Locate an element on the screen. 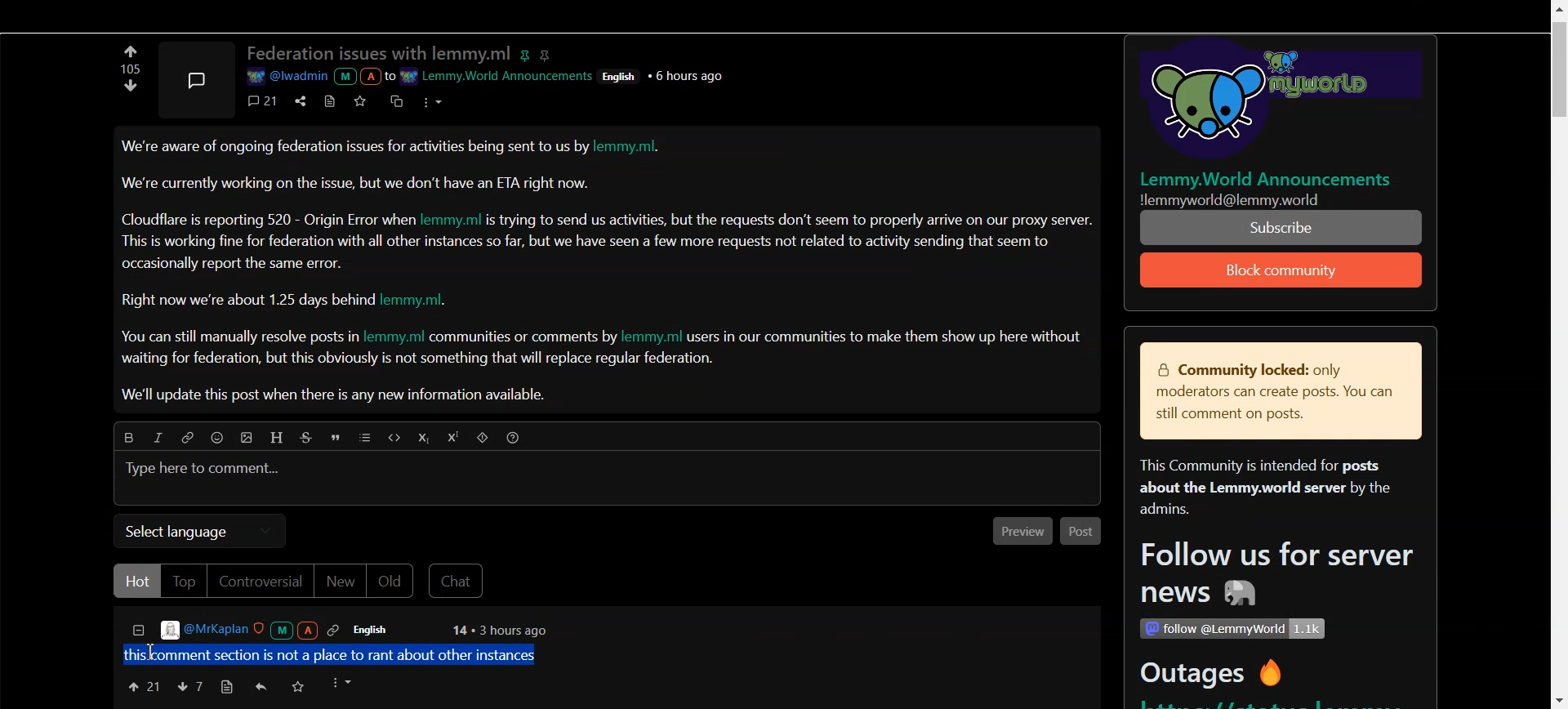 The height and width of the screenshot is (709, 1568). Right now we're about 1.25 days behind is located at coordinates (249, 301).